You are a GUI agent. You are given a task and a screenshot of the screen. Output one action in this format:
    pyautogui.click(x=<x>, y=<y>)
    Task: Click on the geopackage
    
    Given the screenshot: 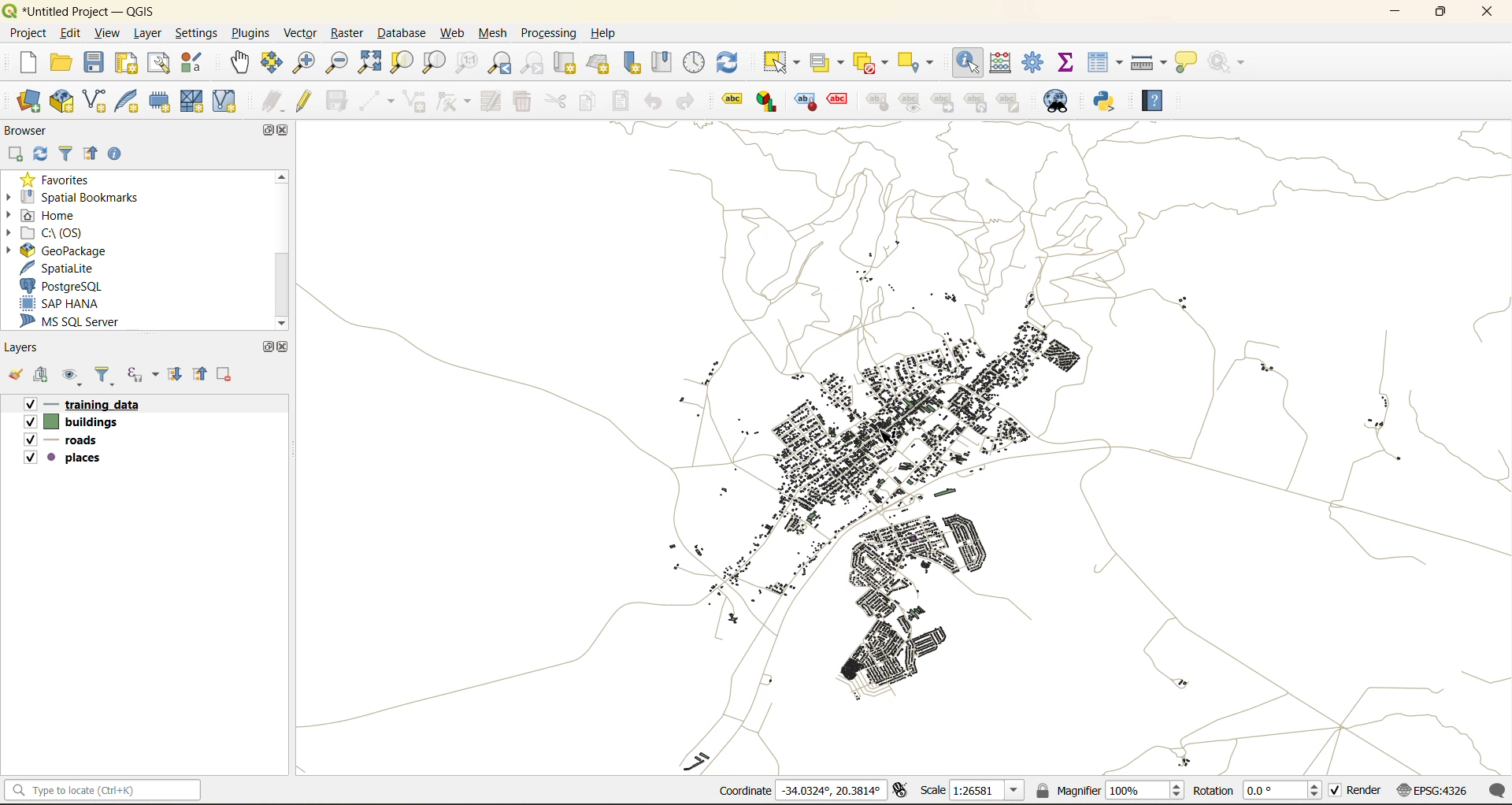 What is the action you would take?
    pyautogui.click(x=55, y=249)
    